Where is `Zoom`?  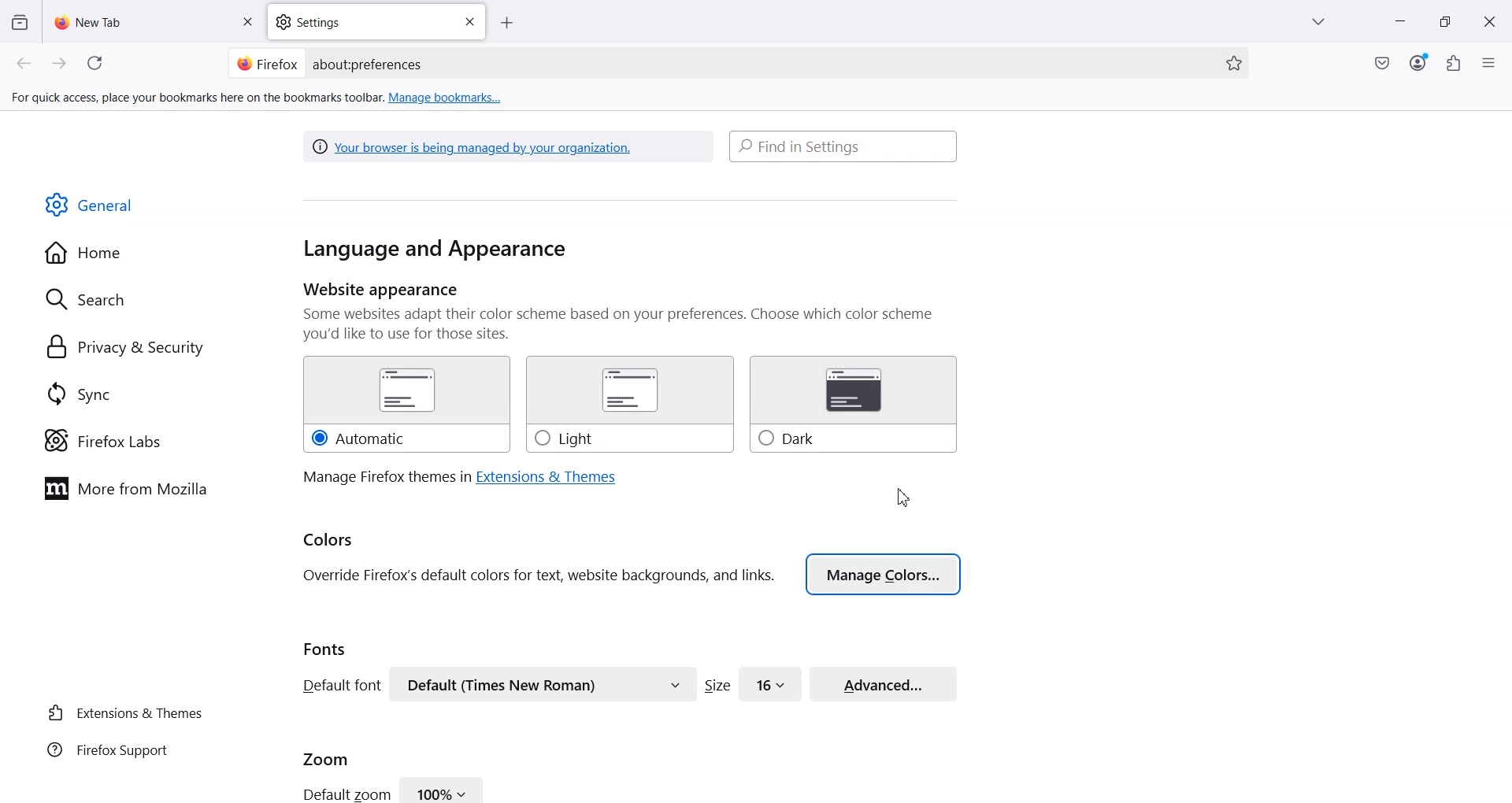 Zoom is located at coordinates (326, 757).